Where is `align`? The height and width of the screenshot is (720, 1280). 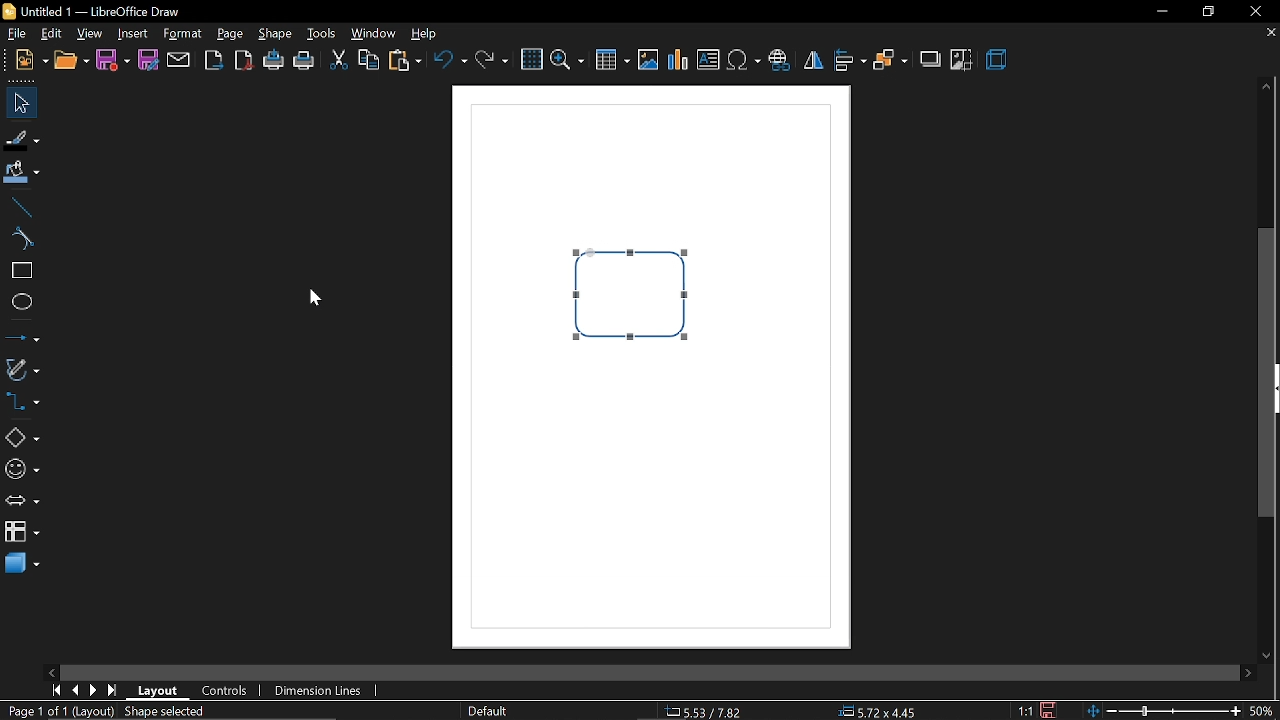 align is located at coordinates (849, 61).